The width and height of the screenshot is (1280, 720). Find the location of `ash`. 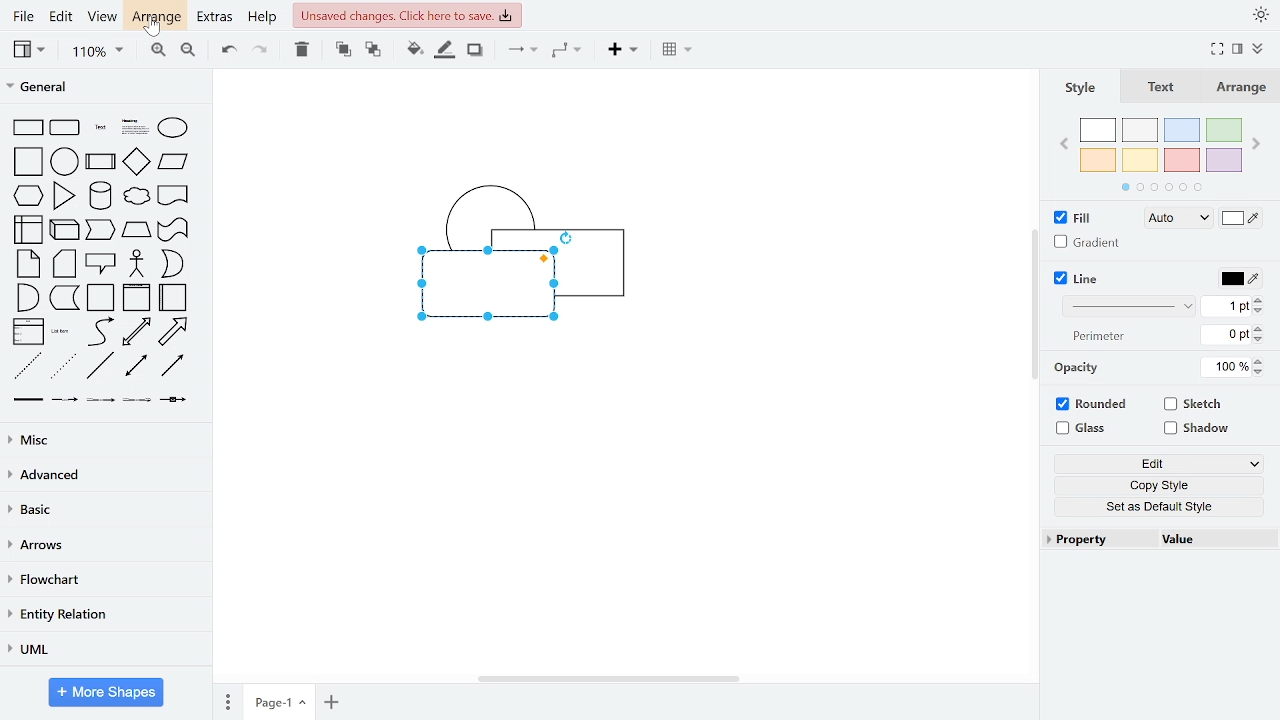

ash is located at coordinates (1139, 129).